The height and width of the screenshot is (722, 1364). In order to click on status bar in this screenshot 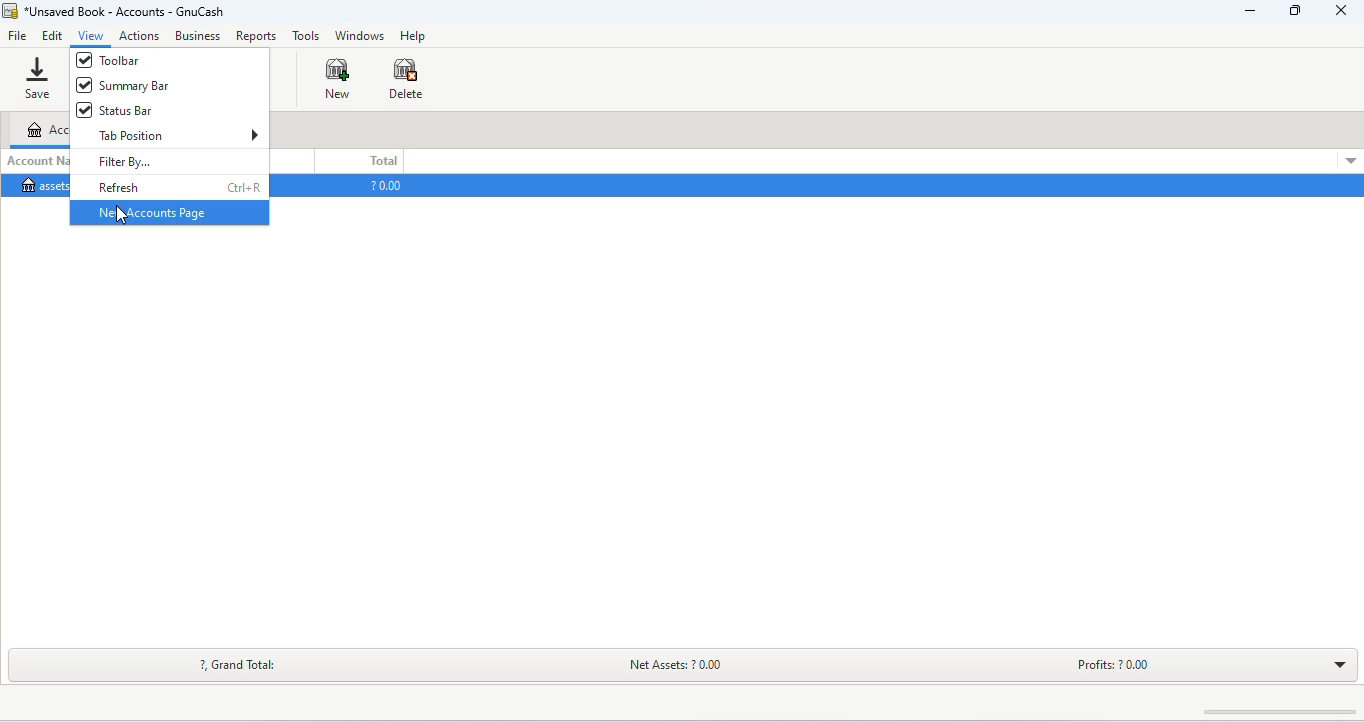, I will do `click(127, 110)`.